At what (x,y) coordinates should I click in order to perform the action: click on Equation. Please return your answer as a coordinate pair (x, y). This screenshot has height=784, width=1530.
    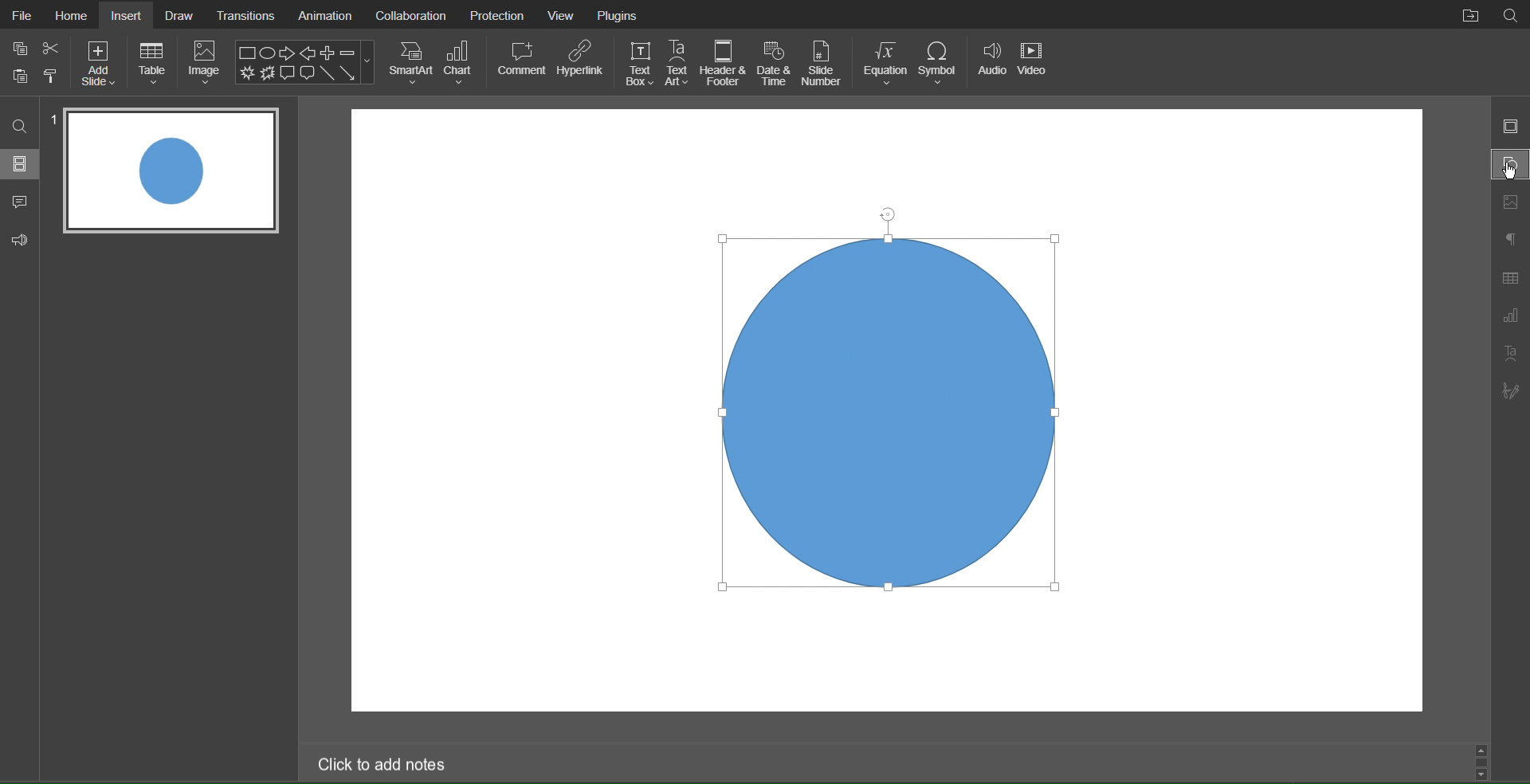
    Looking at the image, I should click on (885, 63).